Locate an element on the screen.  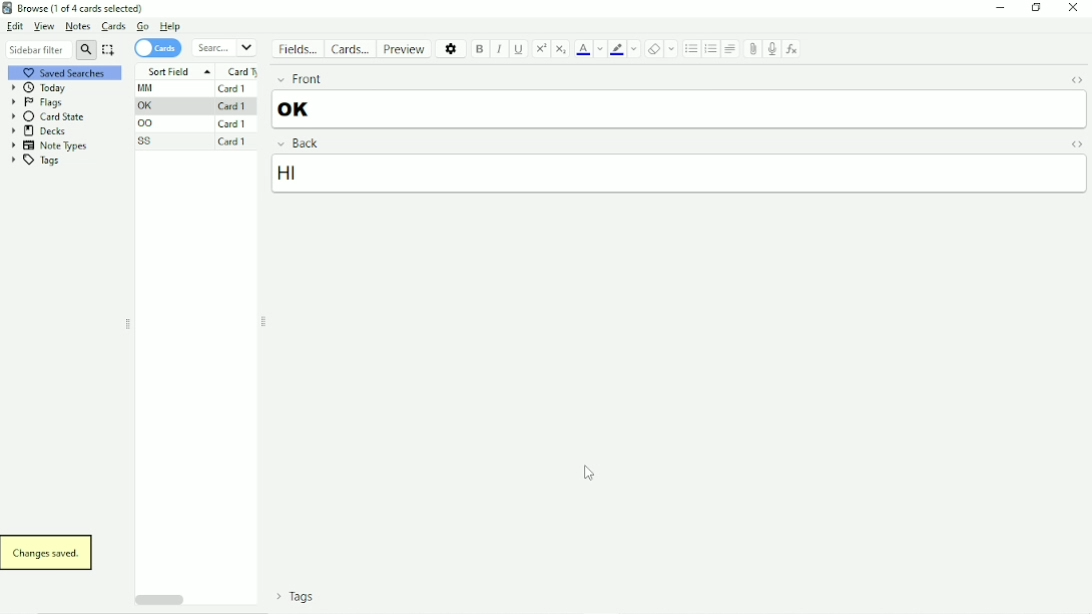
Alignment is located at coordinates (730, 49).